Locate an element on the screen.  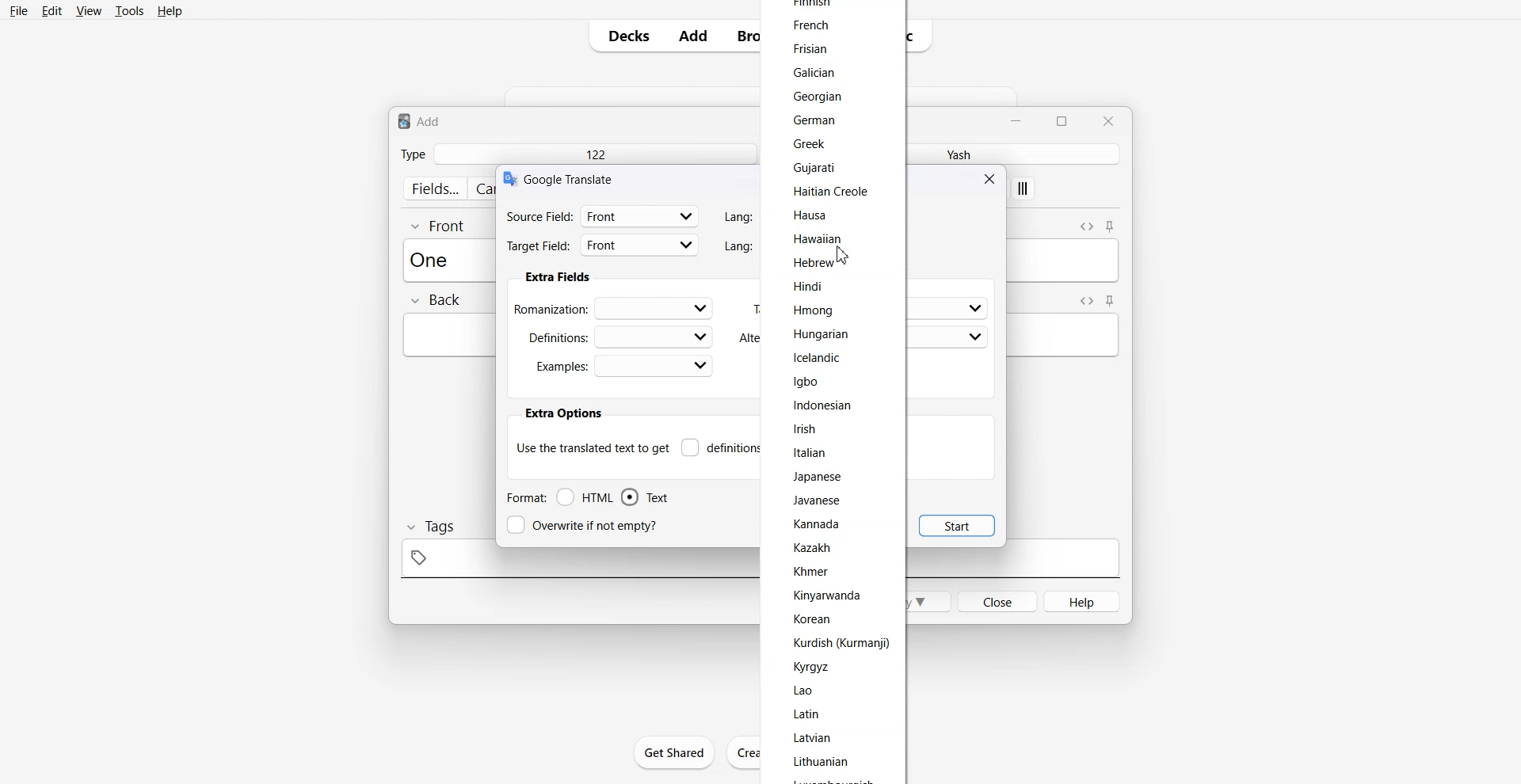
Text is located at coordinates (571, 178).